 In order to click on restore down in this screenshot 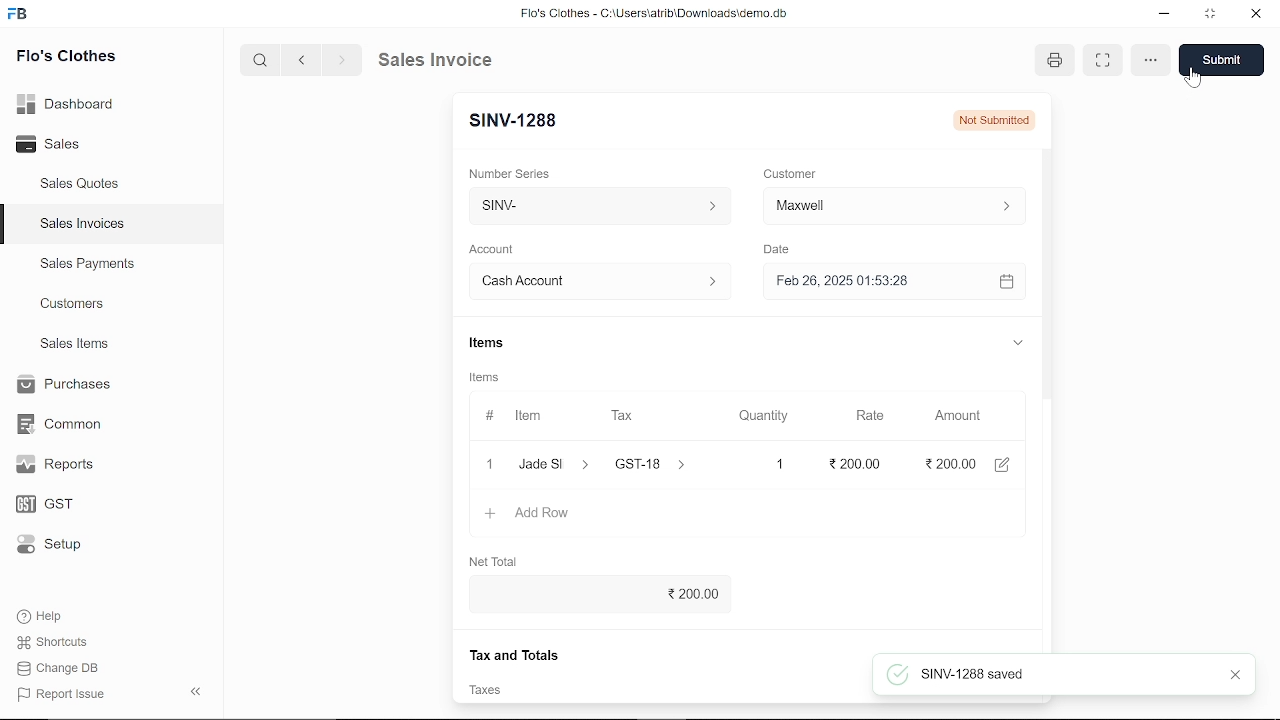, I will do `click(1212, 15)`.